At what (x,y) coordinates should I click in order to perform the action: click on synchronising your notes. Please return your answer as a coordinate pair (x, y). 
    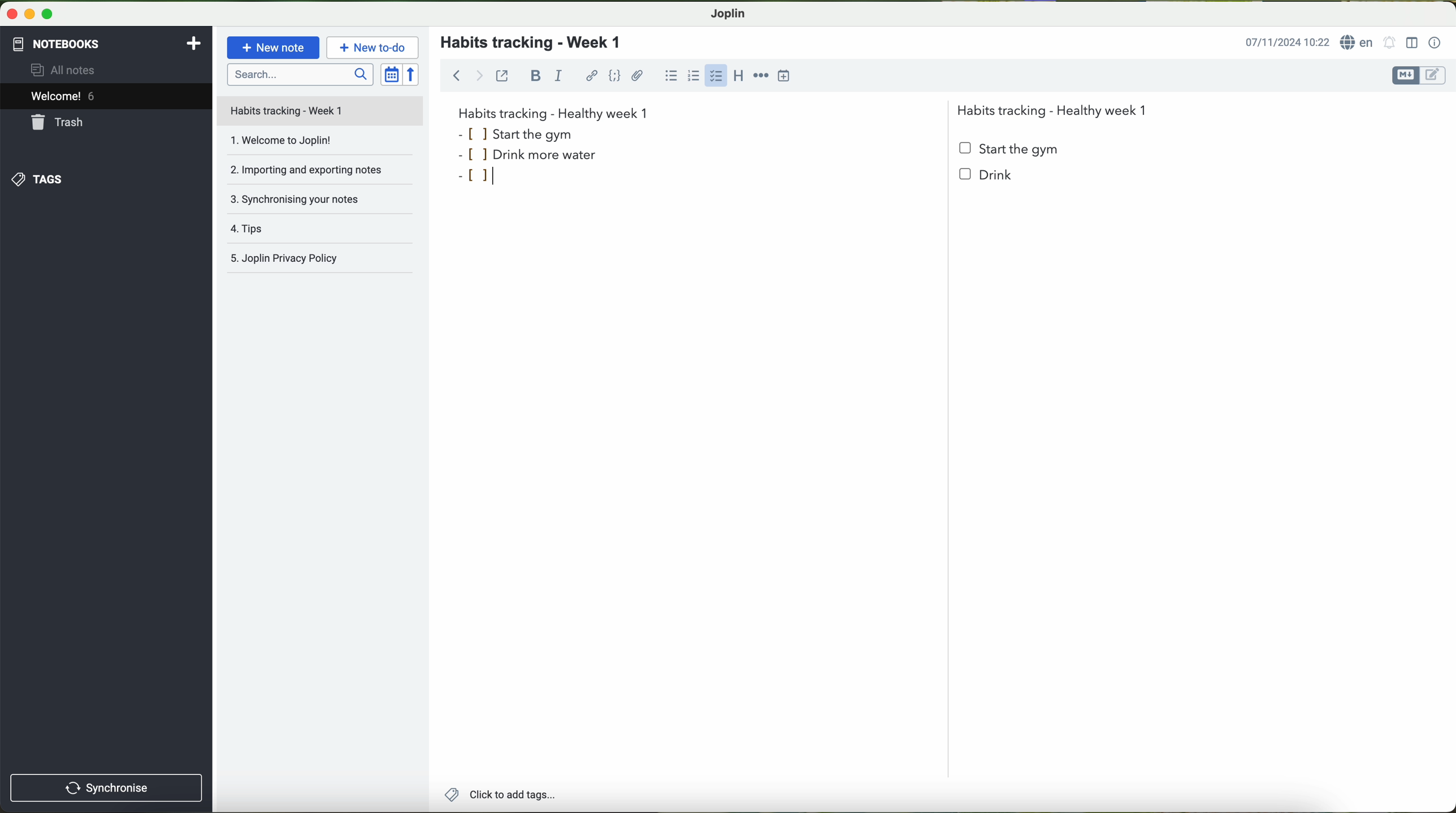
    Looking at the image, I should click on (324, 203).